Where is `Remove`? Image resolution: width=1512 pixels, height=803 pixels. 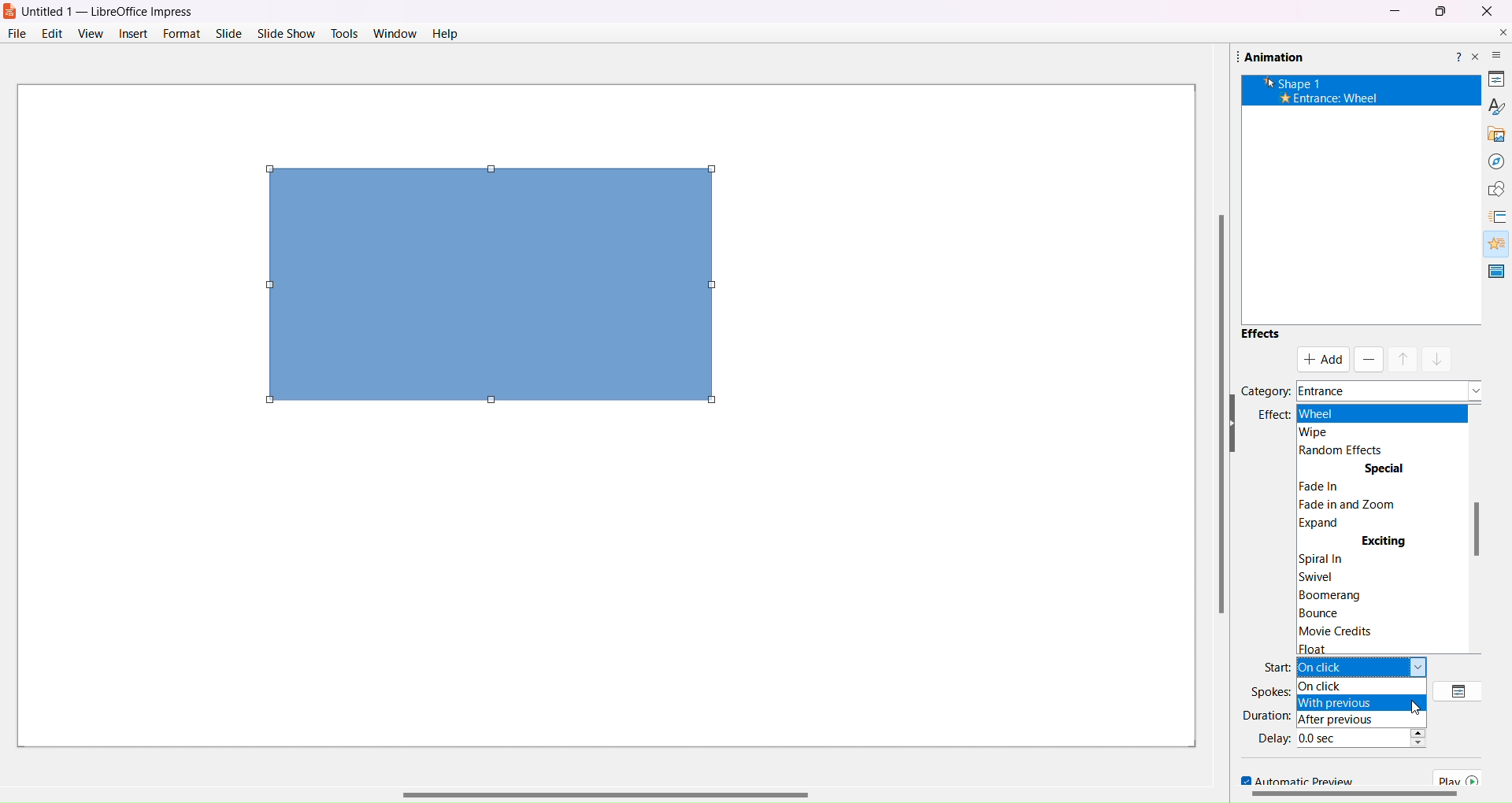
Remove is located at coordinates (1367, 360).